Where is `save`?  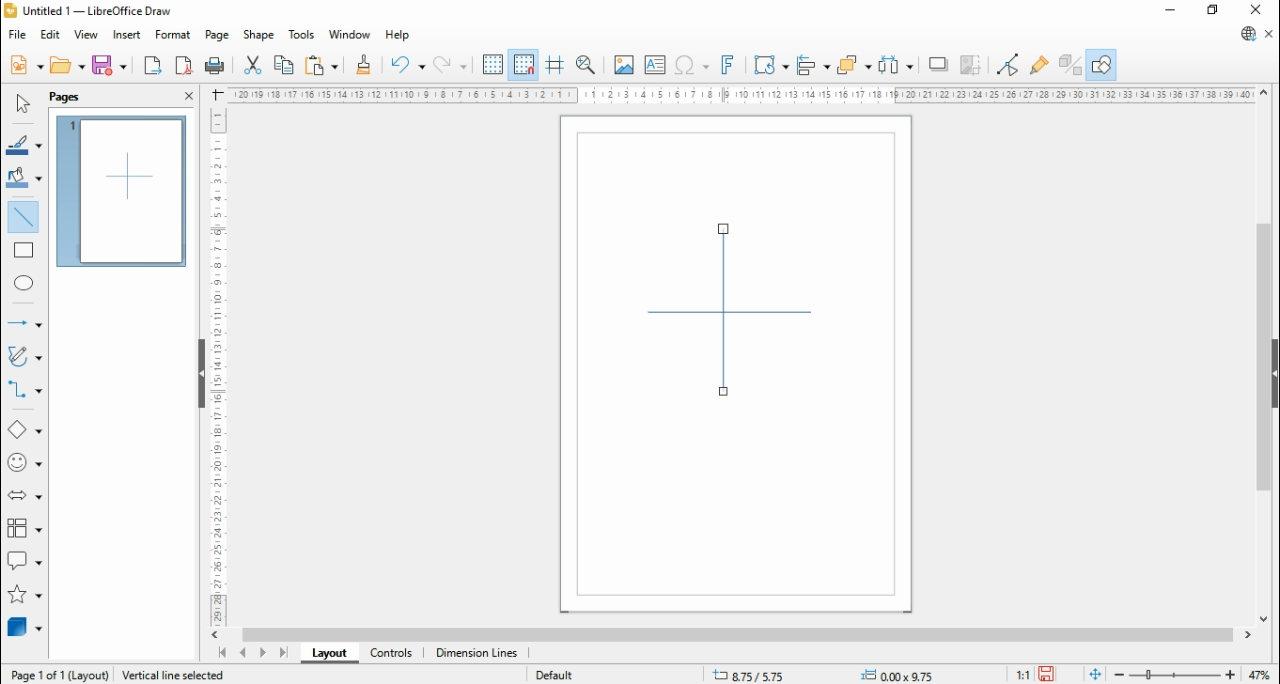
save is located at coordinates (111, 65).